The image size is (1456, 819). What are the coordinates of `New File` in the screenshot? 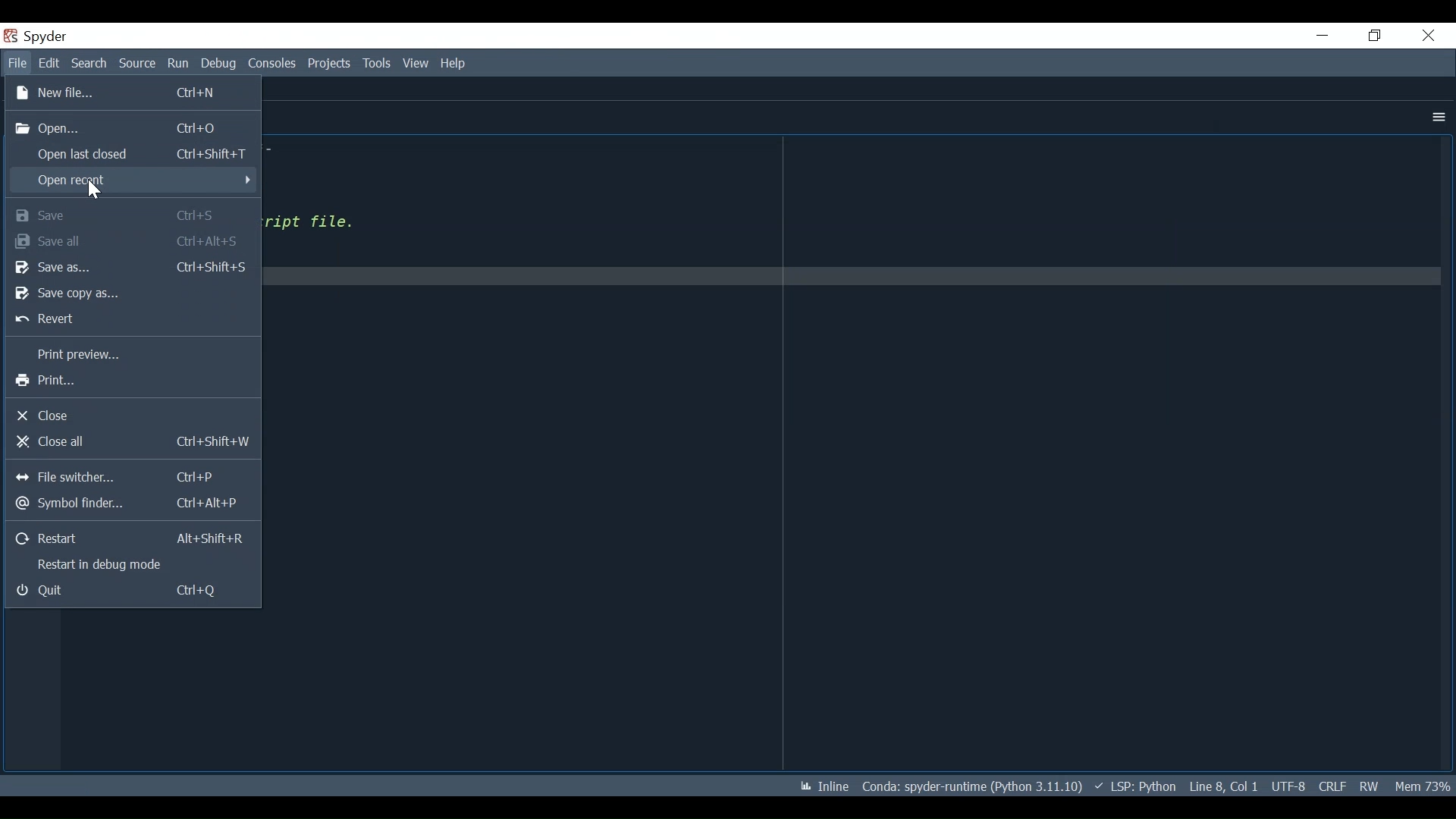 It's located at (131, 94).